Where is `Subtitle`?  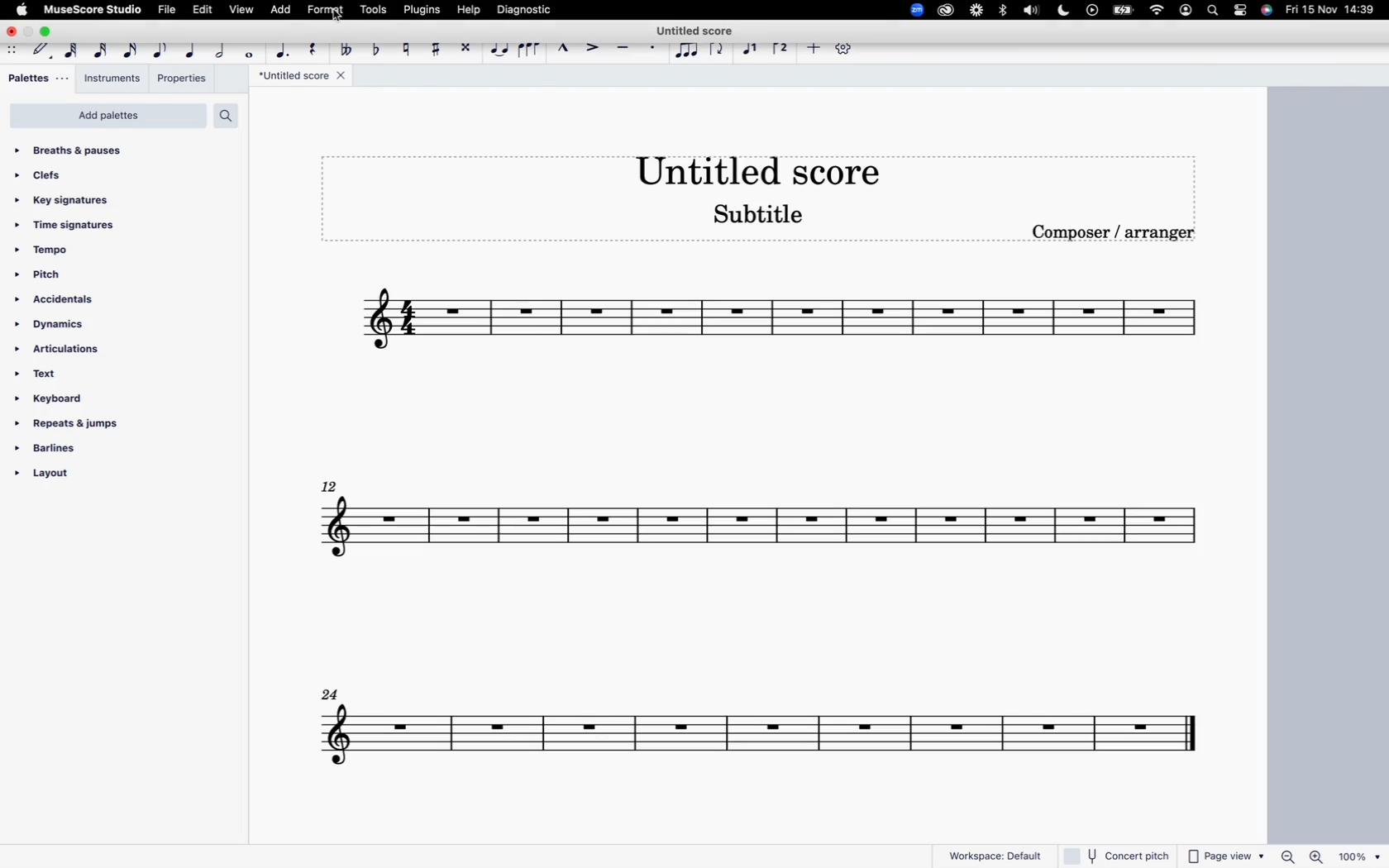
Subtitle is located at coordinates (757, 218).